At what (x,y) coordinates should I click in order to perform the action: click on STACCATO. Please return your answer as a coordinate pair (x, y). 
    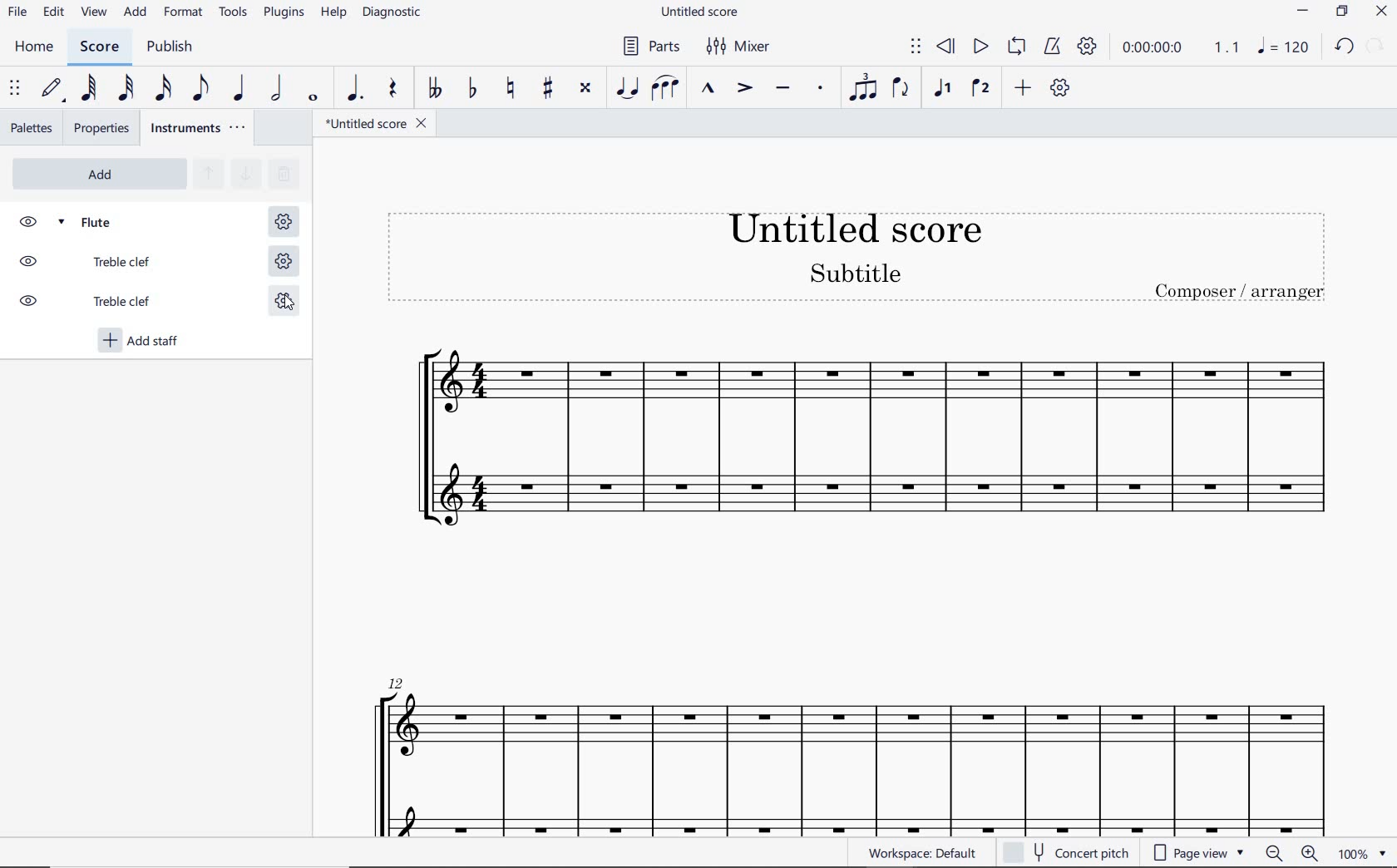
    Looking at the image, I should click on (818, 88).